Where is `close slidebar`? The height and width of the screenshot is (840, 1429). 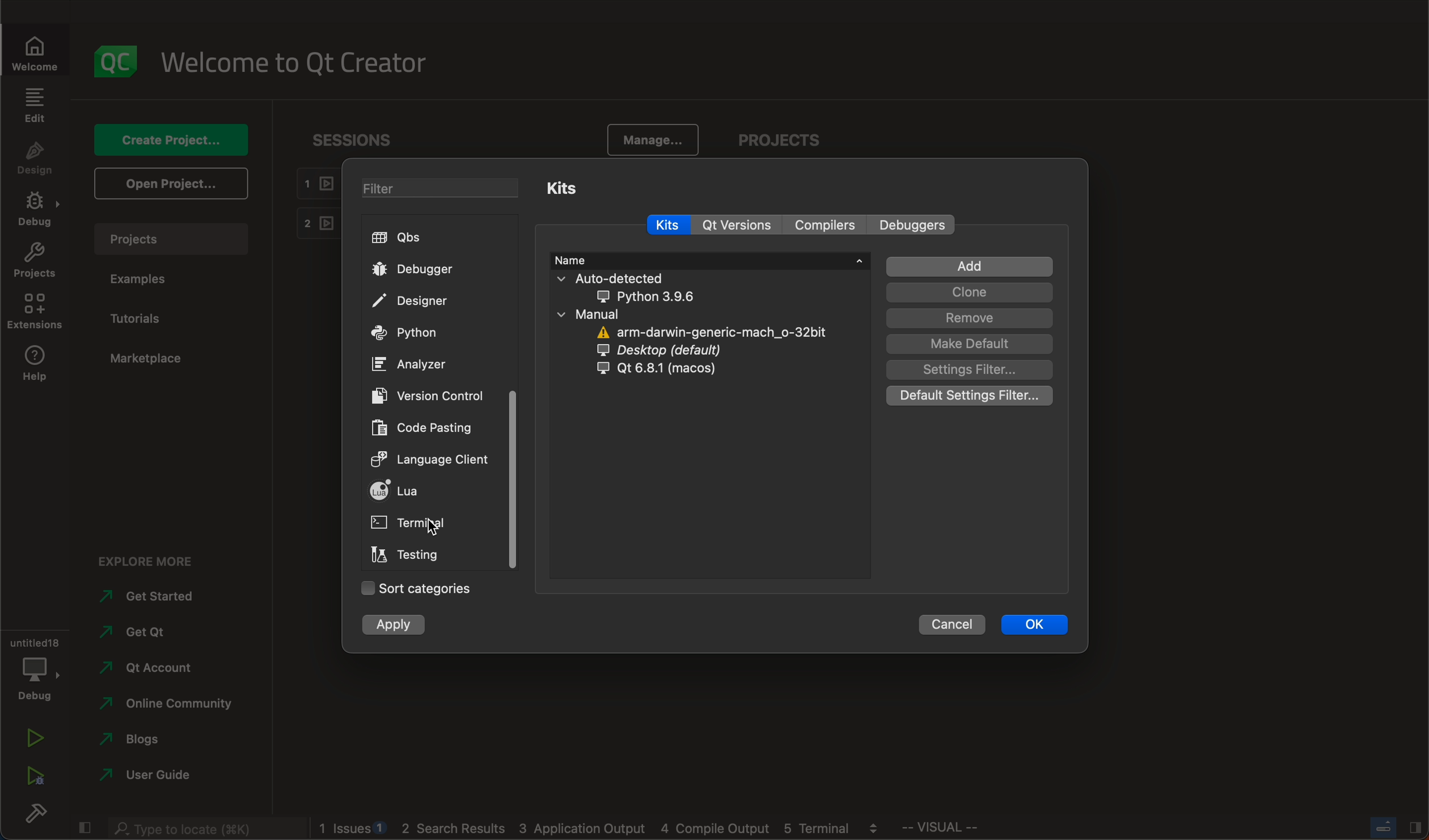
close slidebar is located at coordinates (84, 828).